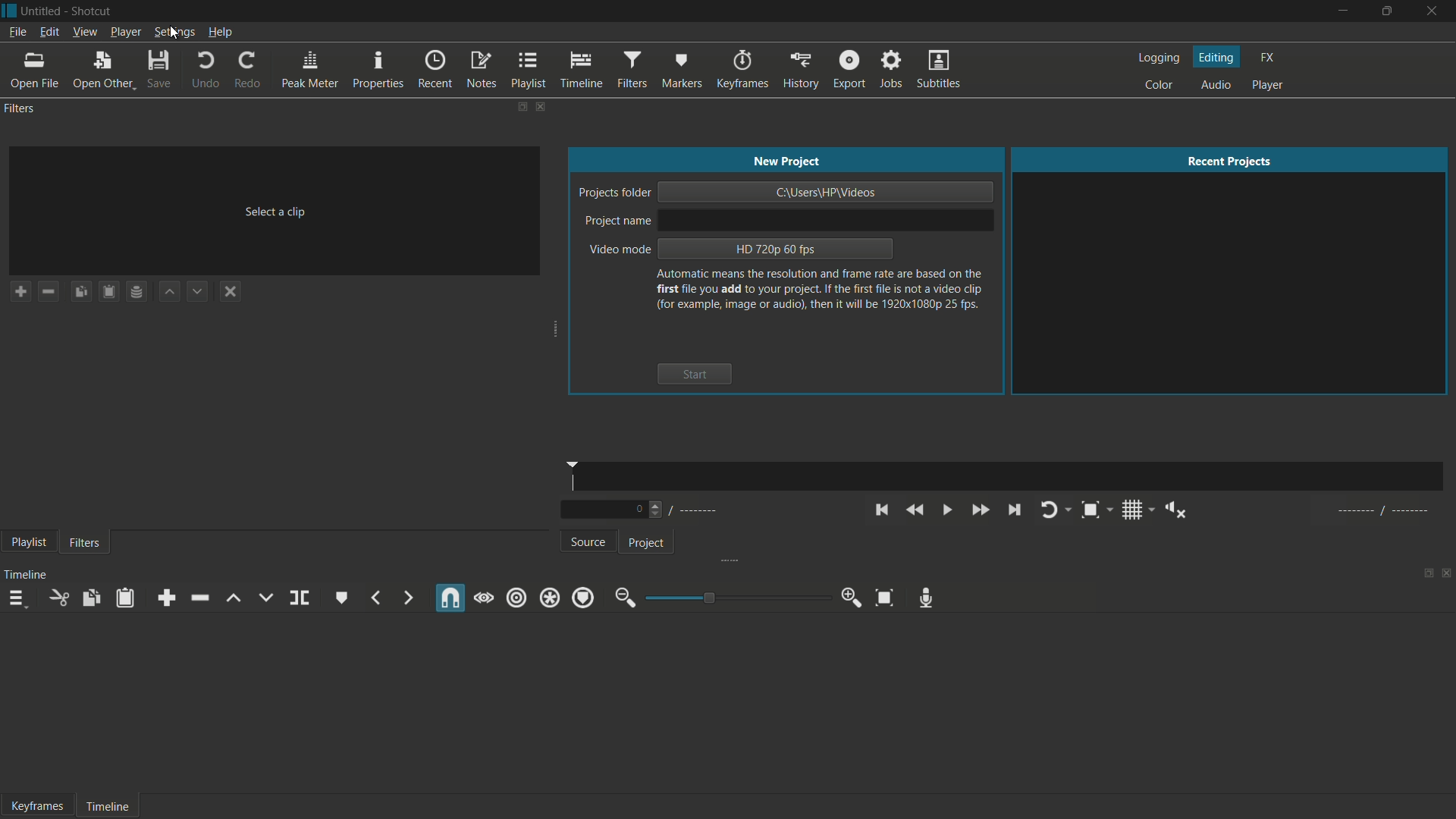 The height and width of the screenshot is (819, 1456). I want to click on filters, so click(632, 71).